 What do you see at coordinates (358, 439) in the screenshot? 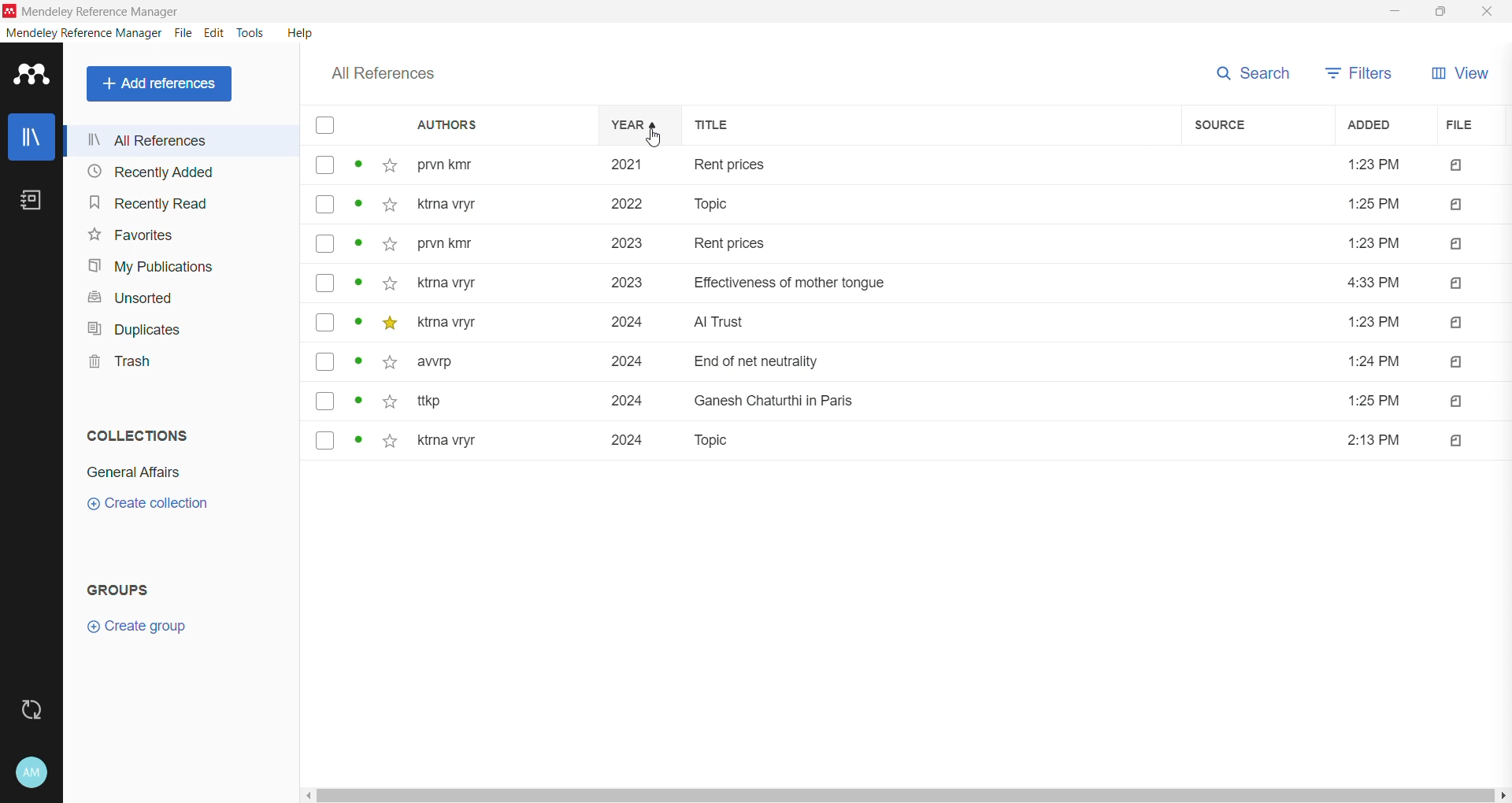
I see `unread` at bounding box center [358, 439].